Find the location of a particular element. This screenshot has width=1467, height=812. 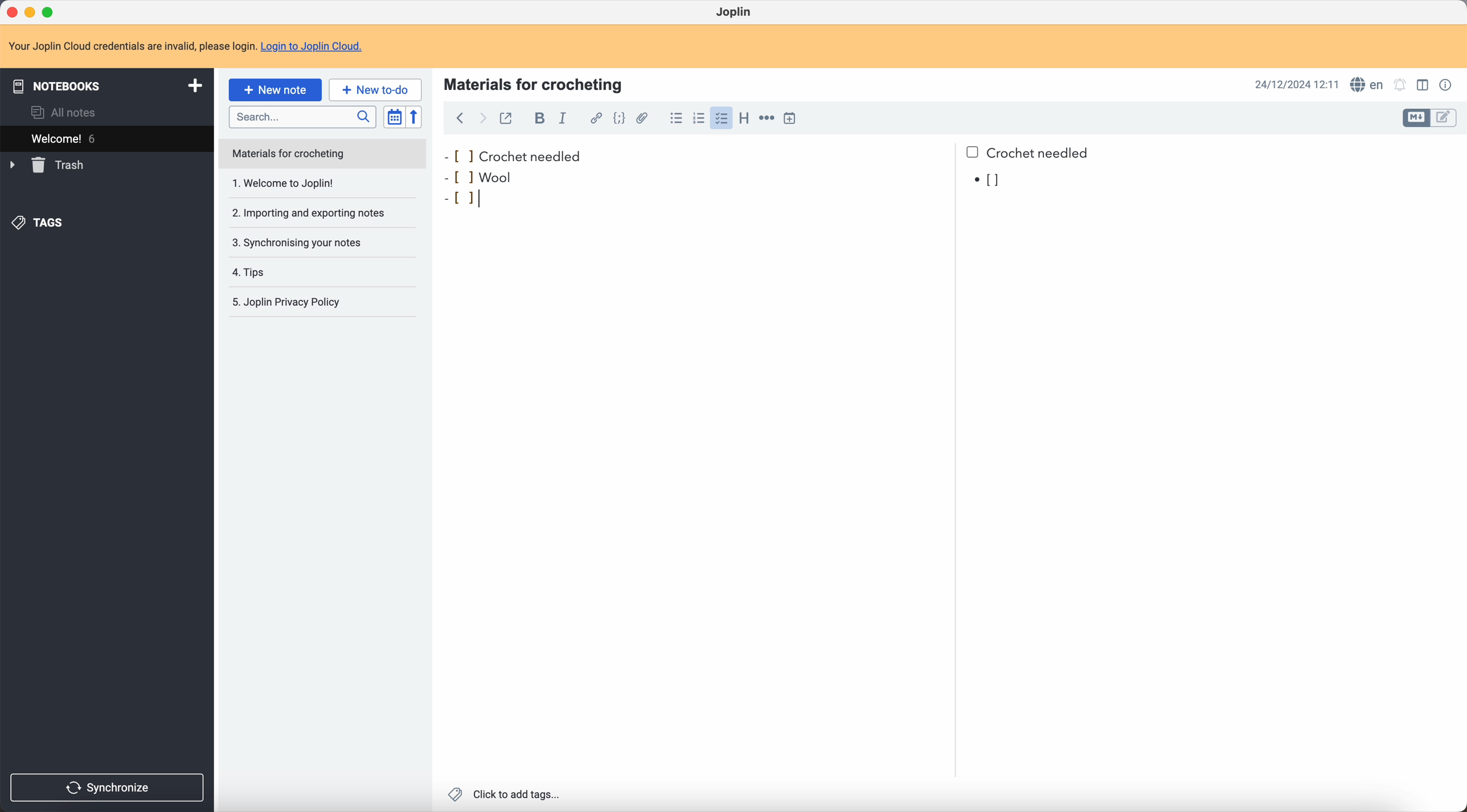

code is located at coordinates (621, 119).